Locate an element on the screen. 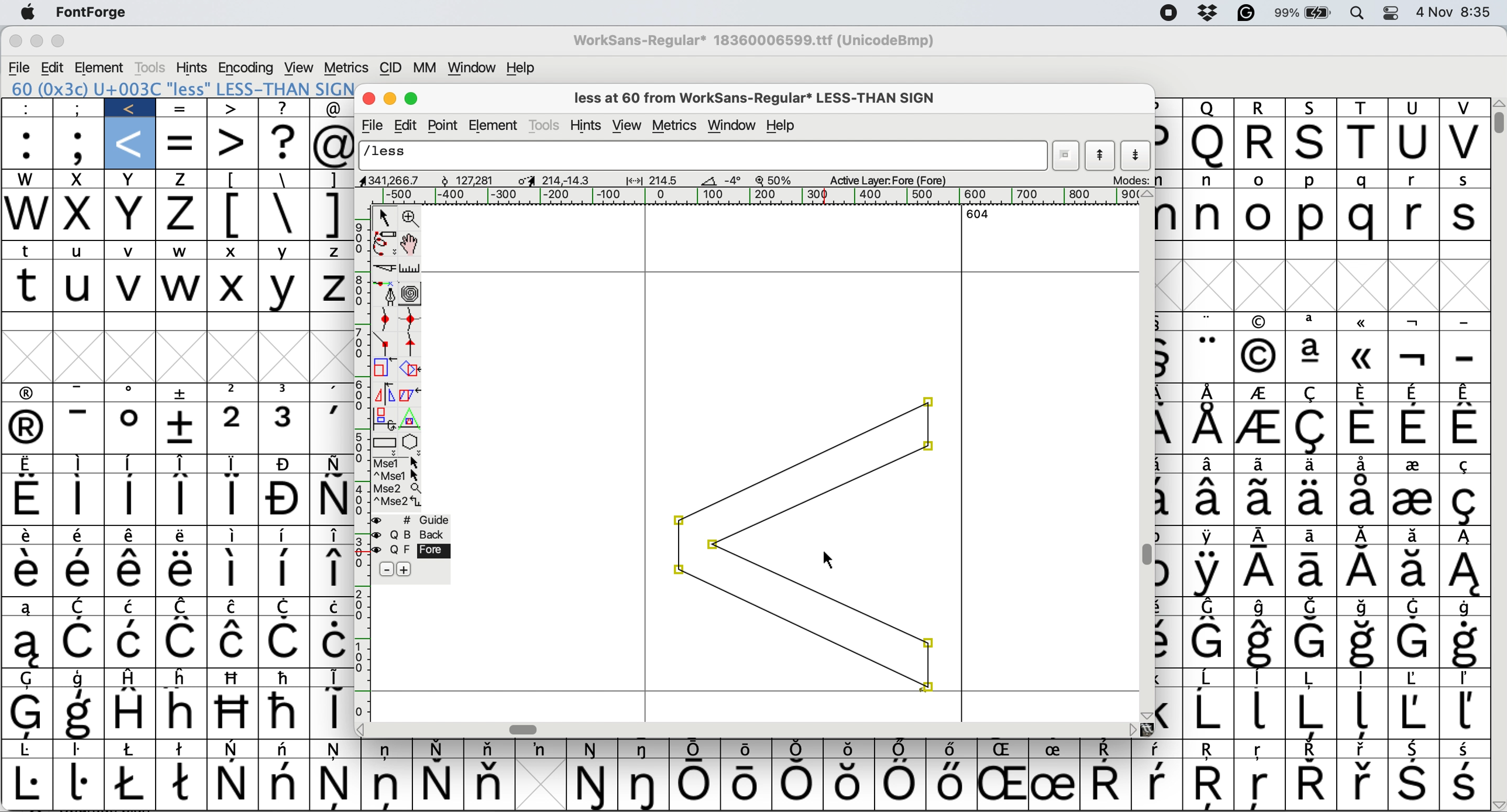  horizontal scale is located at coordinates (747, 197).